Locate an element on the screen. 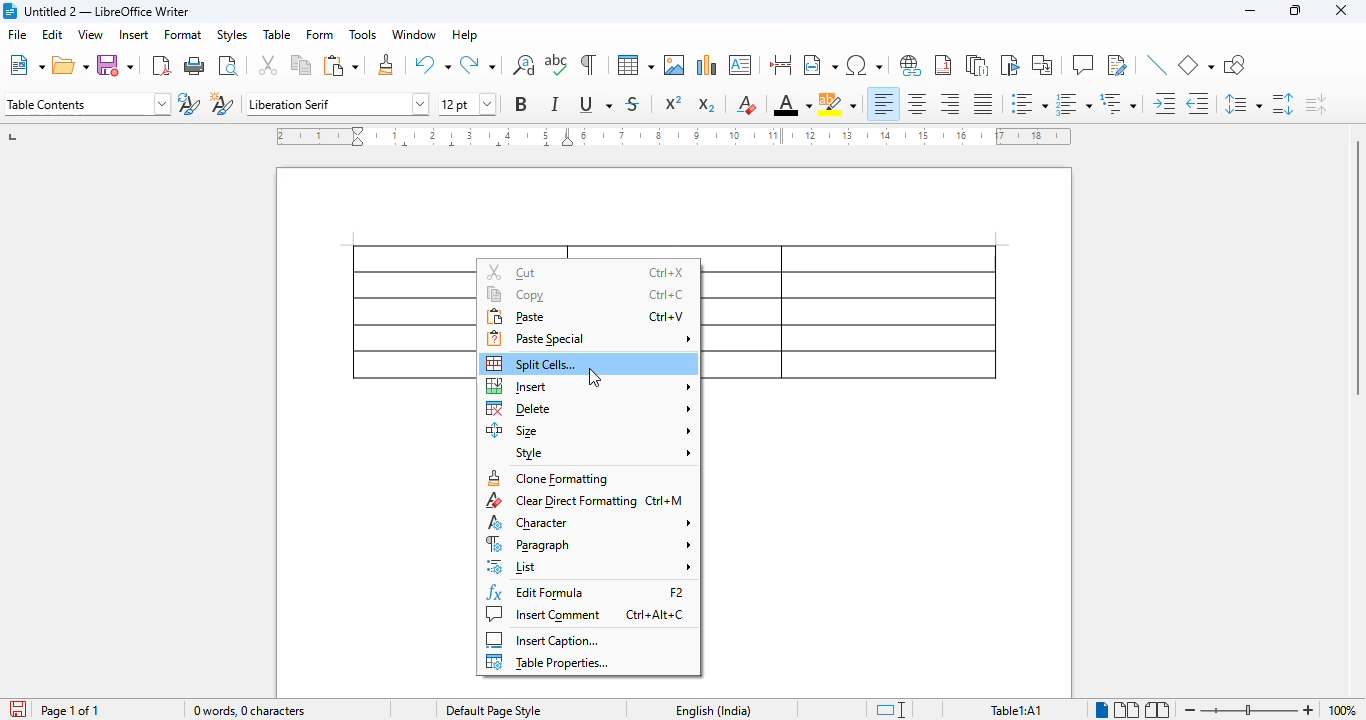 Image resolution: width=1366 pixels, height=720 pixels. insert image is located at coordinates (674, 65).